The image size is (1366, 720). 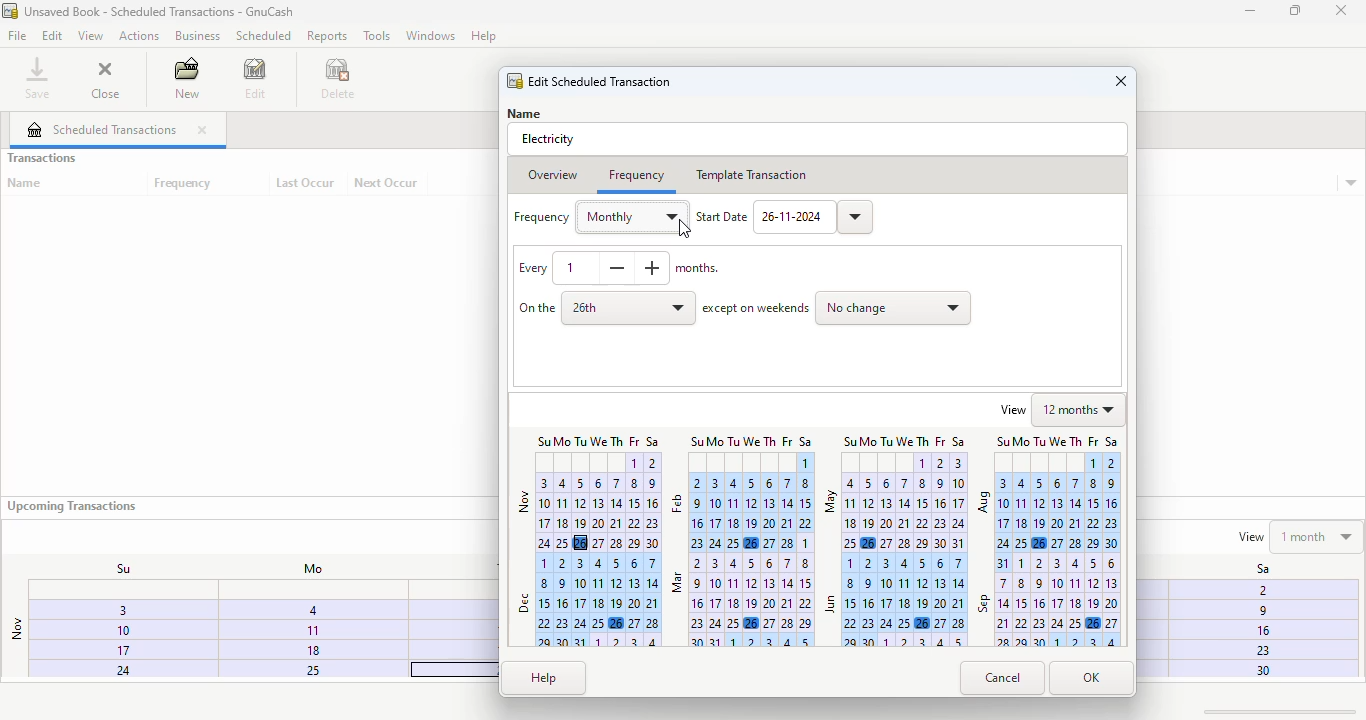 I want to click on August calendar, so click(x=1048, y=492).